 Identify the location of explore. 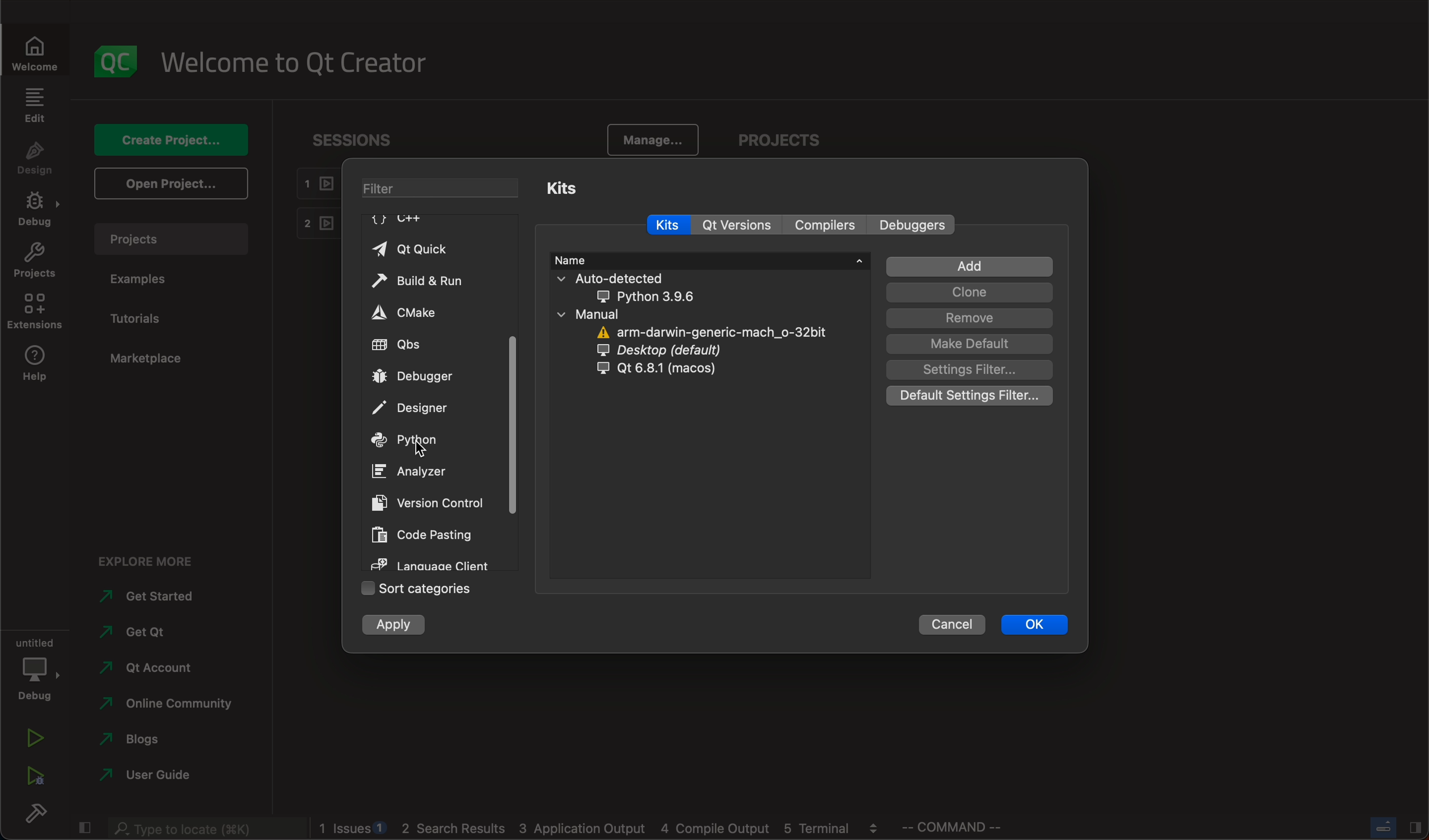
(147, 563).